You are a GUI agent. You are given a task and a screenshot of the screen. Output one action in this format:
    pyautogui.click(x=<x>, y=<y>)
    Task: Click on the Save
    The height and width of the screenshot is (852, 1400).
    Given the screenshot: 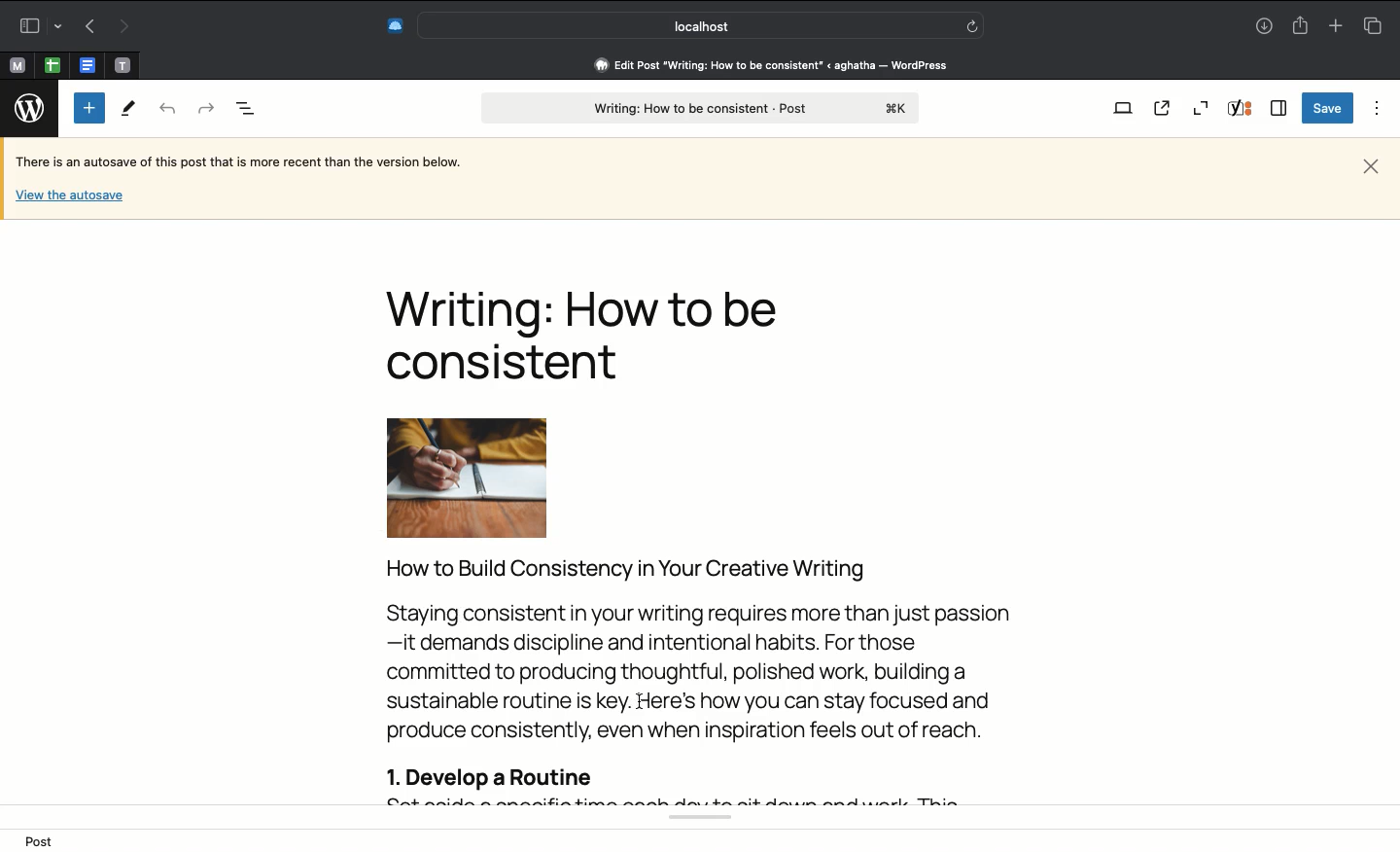 What is the action you would take?
    pyautogui.click(x=1325, y=109)
    